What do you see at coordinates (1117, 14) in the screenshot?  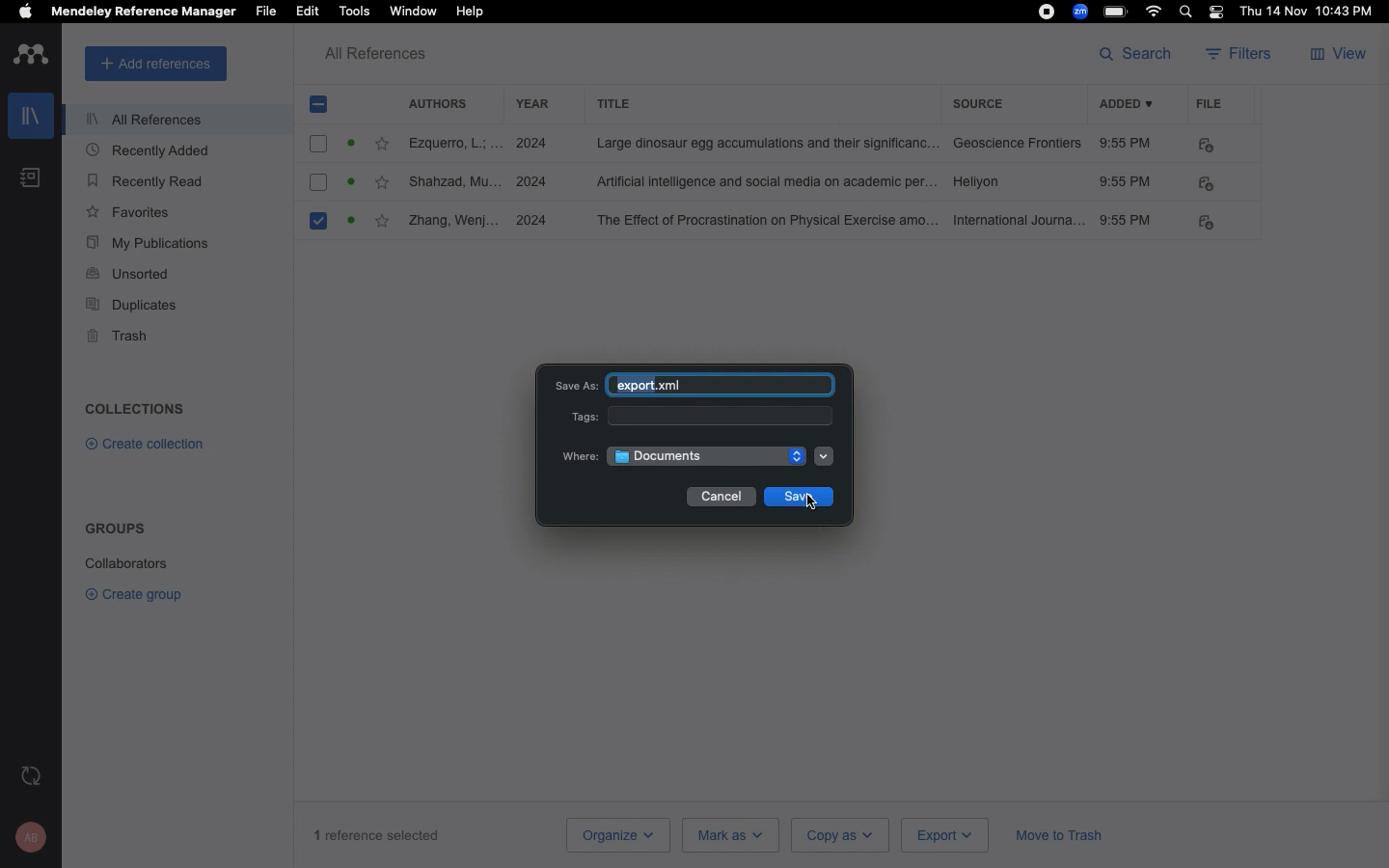 I see `Charge` at bounding box center [1117, 14].